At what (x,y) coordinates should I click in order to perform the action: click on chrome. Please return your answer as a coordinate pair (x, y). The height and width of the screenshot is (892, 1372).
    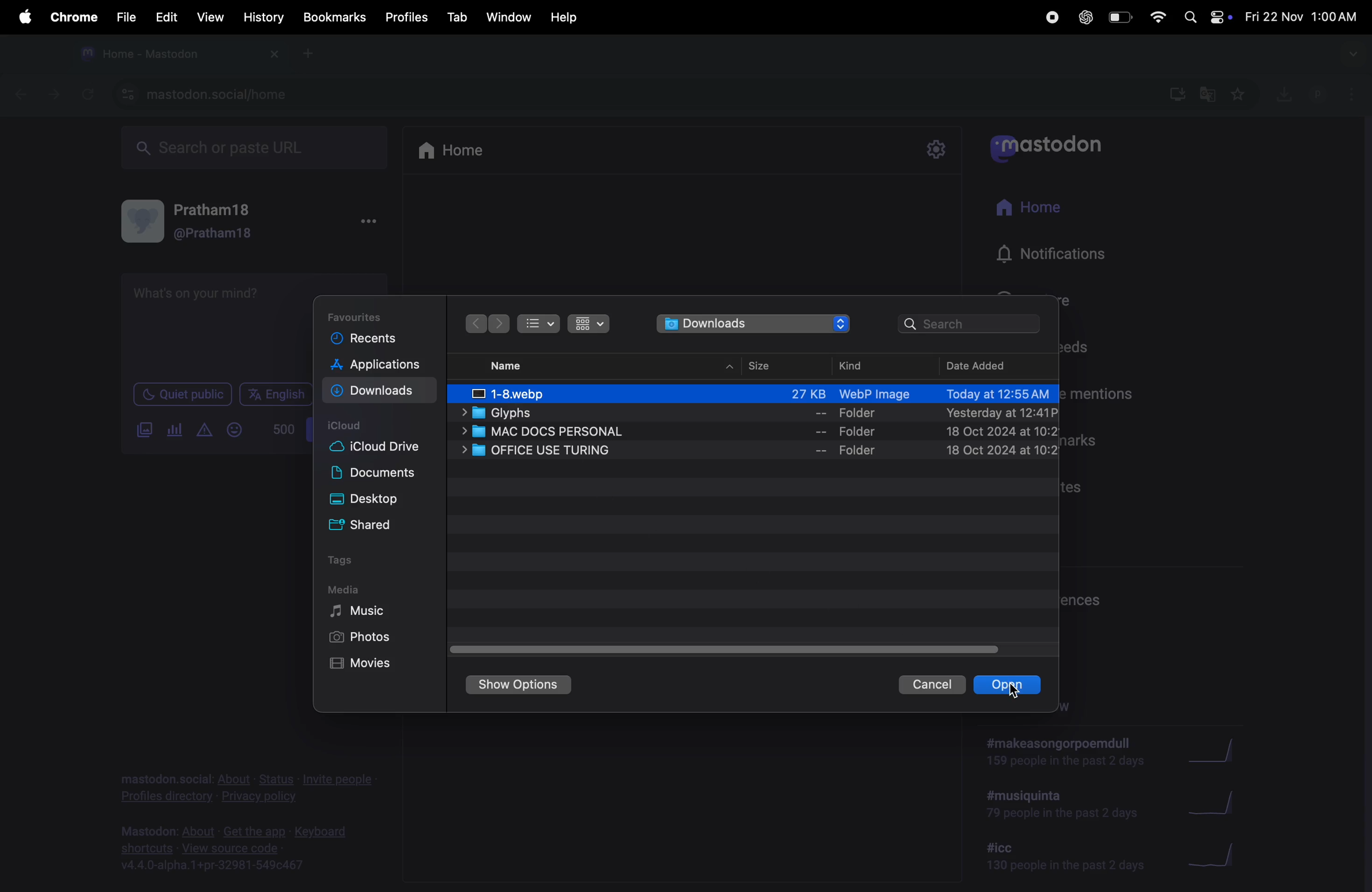
    Looking at the image, I should click on (74, 17).